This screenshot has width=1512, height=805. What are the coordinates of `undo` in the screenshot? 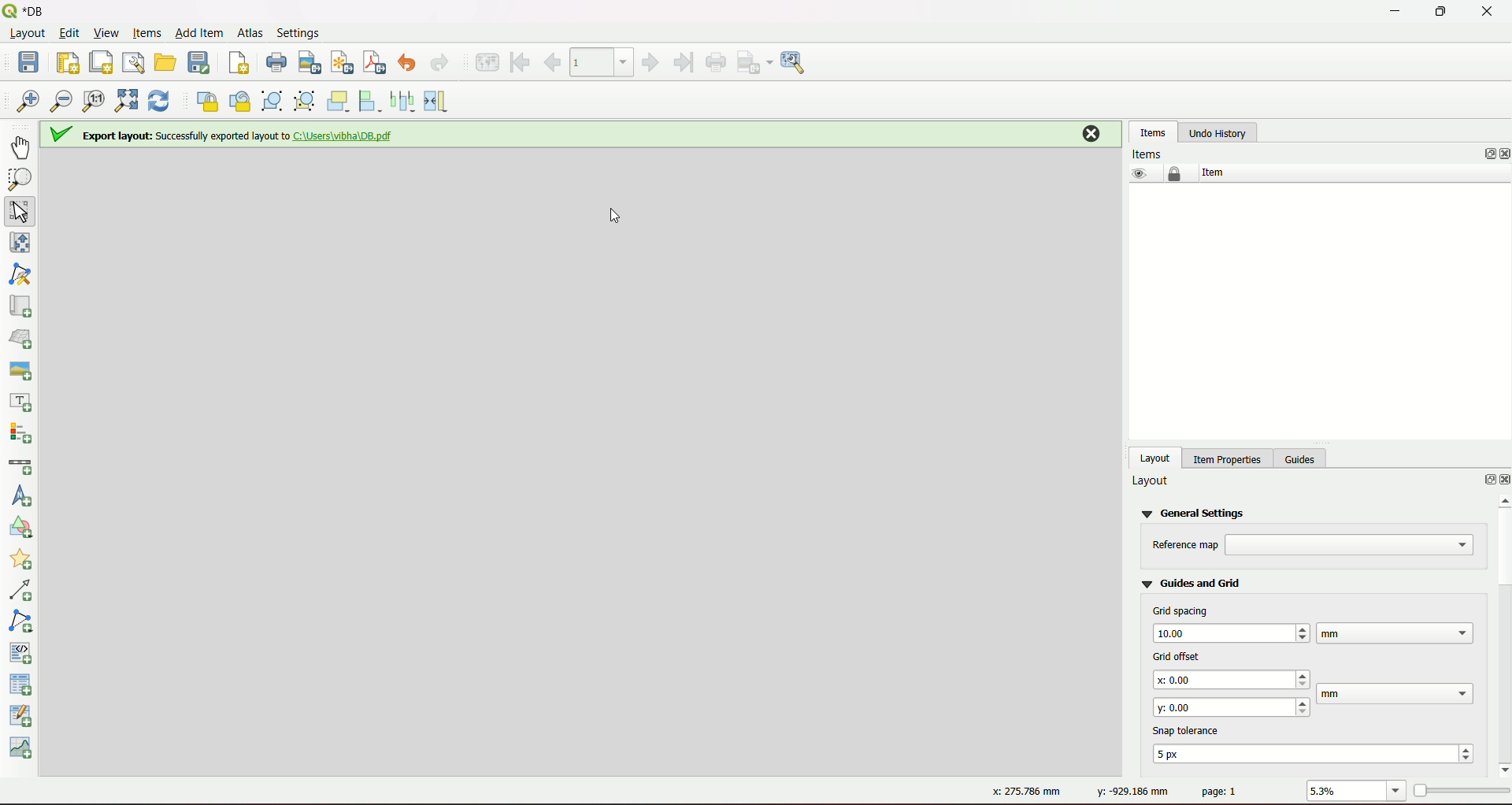 It's located at (410, 64).